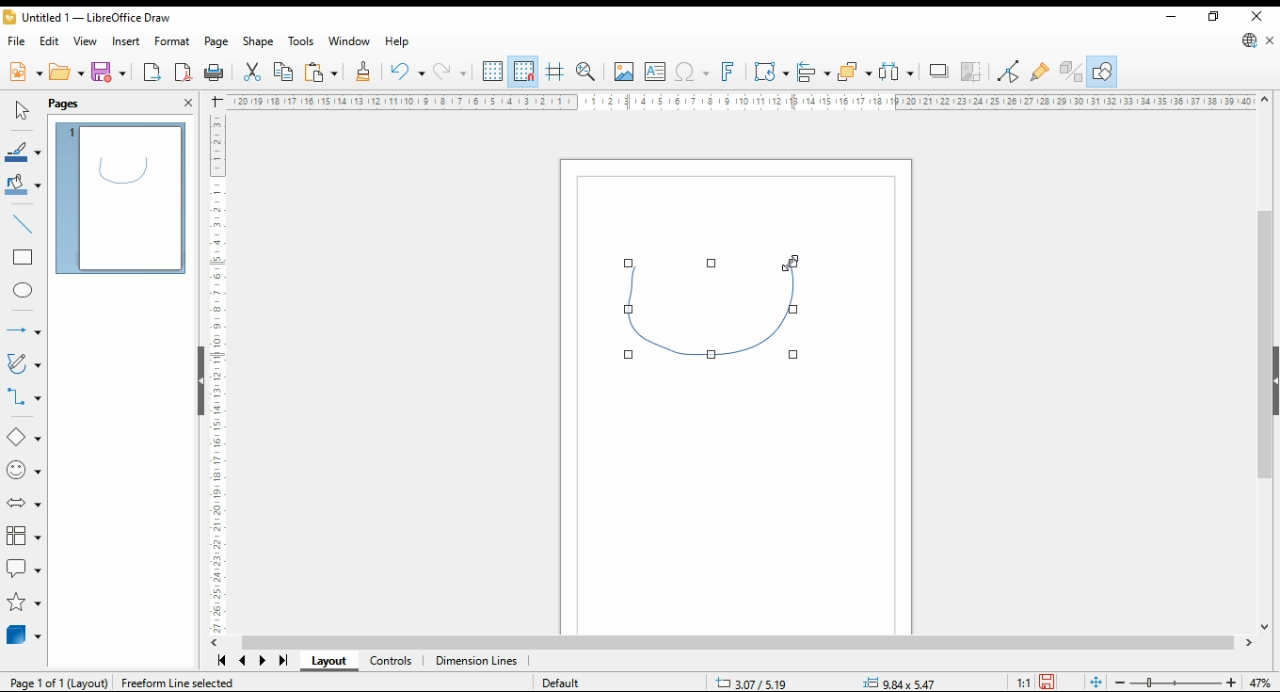 The image size is (1280, 692). Describe the element at coordinates (970, 72) in the screenshot. I see `crop` at that location.